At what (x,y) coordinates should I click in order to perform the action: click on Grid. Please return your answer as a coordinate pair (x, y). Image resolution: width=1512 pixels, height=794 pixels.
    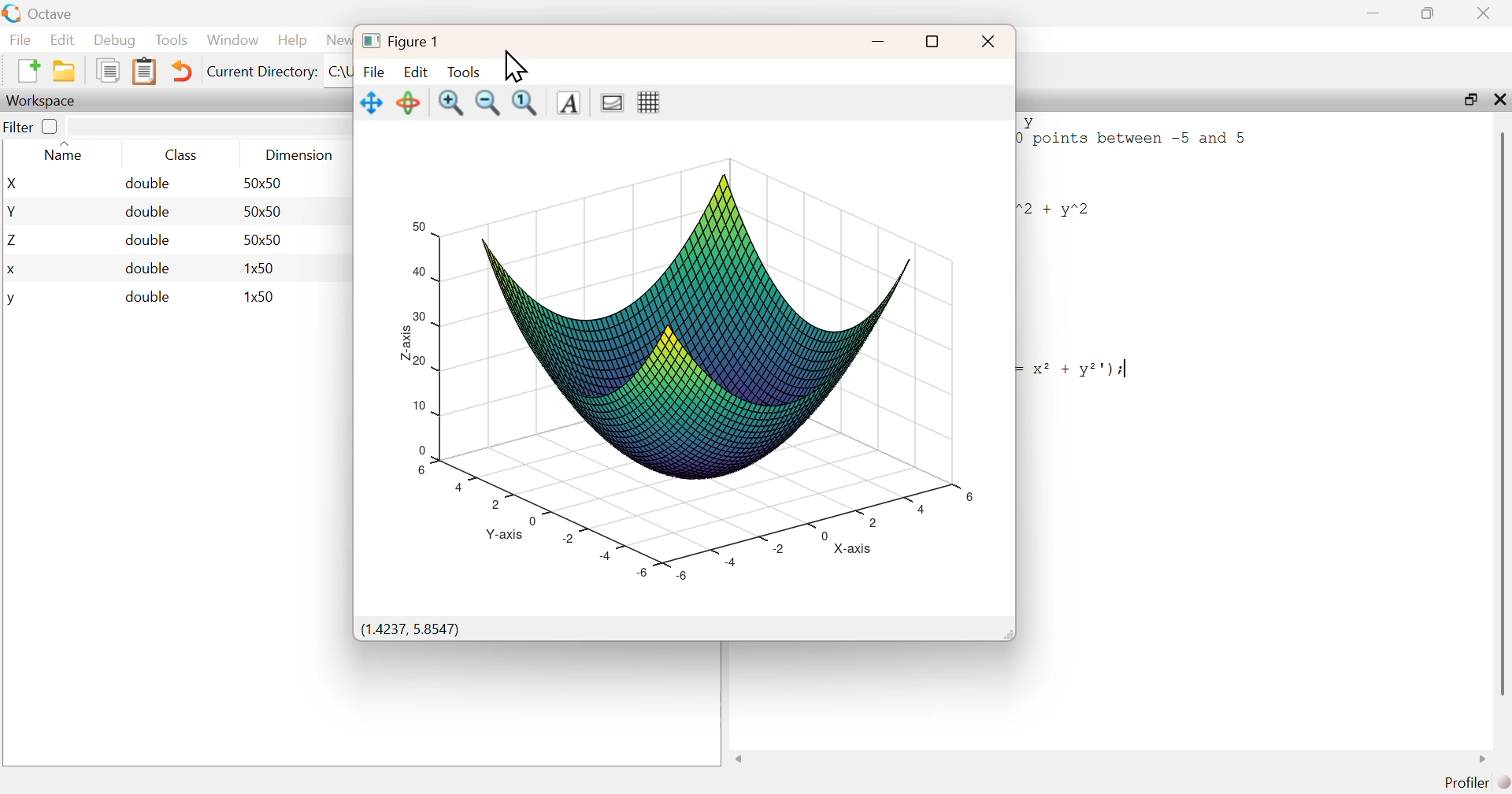
    Looking at the image, I should click on (649, 102).